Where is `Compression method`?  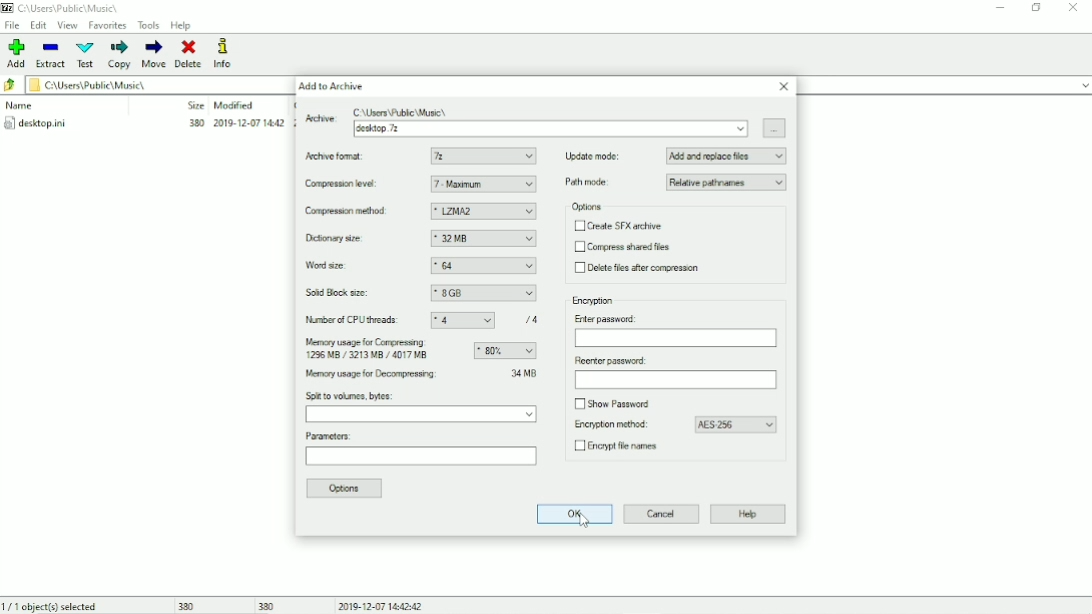 Compression method is located at coordinates (348, 211).